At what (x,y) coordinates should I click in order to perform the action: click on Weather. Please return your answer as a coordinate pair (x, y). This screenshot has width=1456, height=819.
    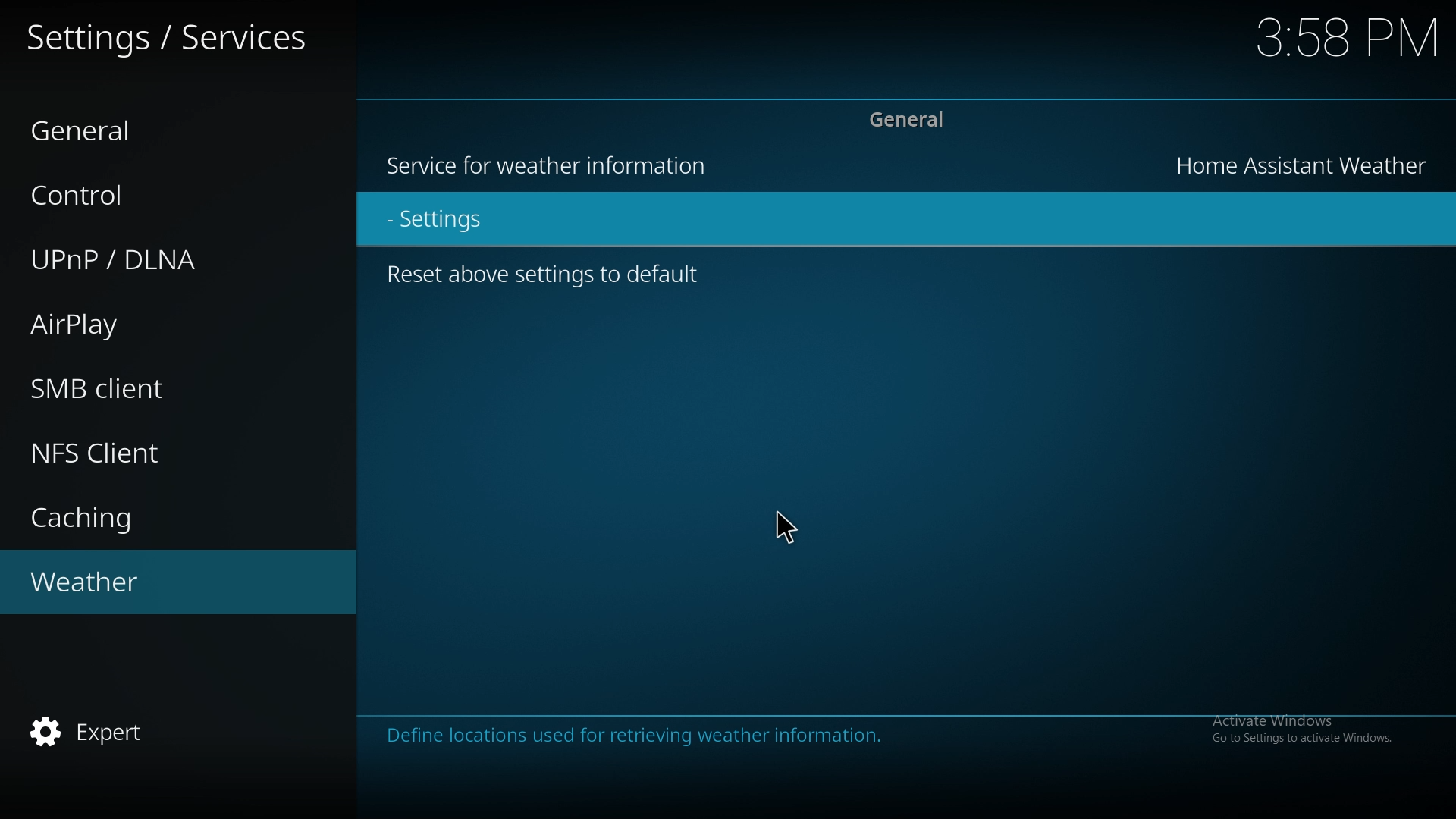
    Looking at the image, I should click on (118, 587).